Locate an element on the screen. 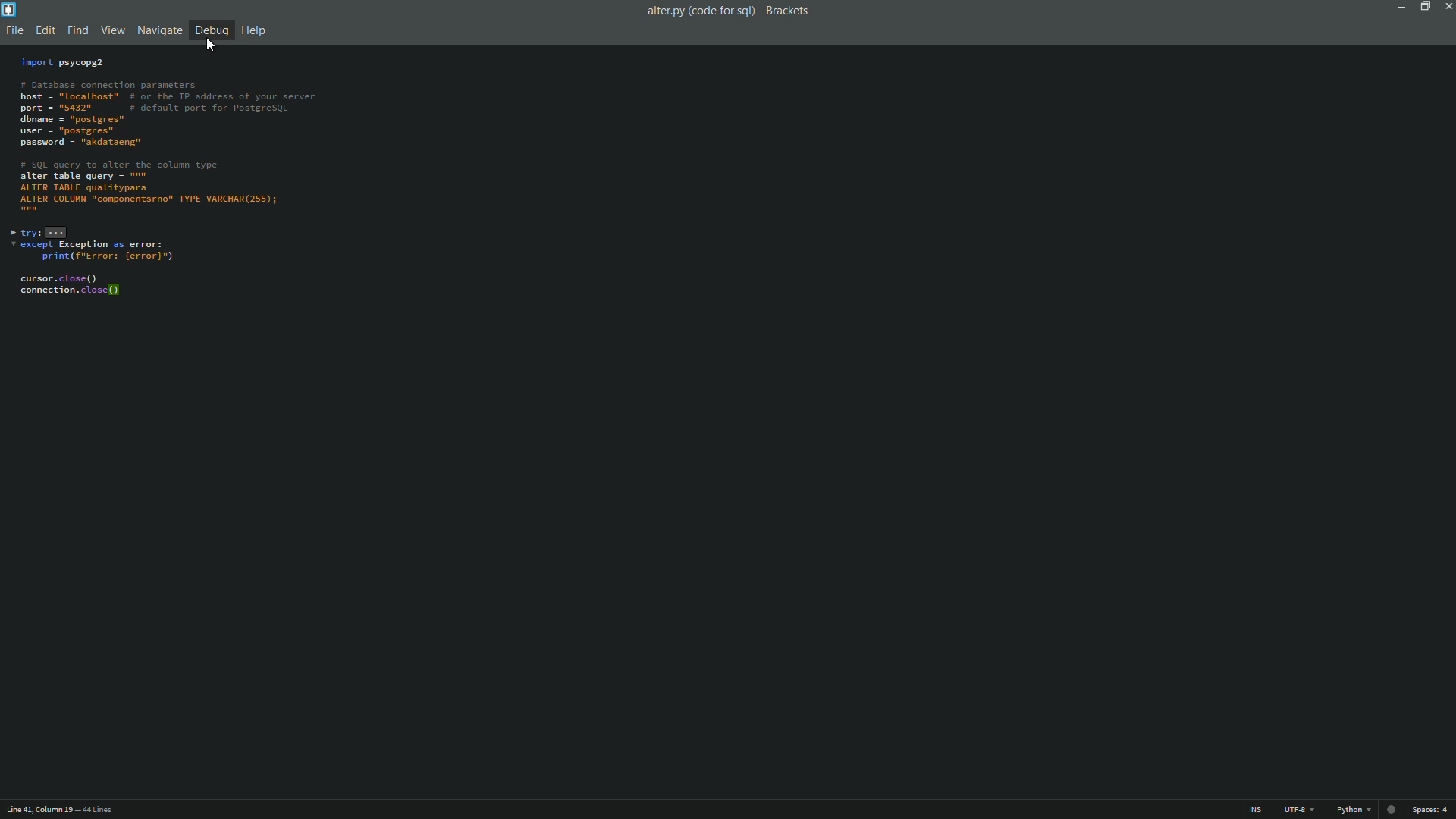 The width and height of the screenshot is (1456, 819). Number of lines is located at coordinates (101, 810).